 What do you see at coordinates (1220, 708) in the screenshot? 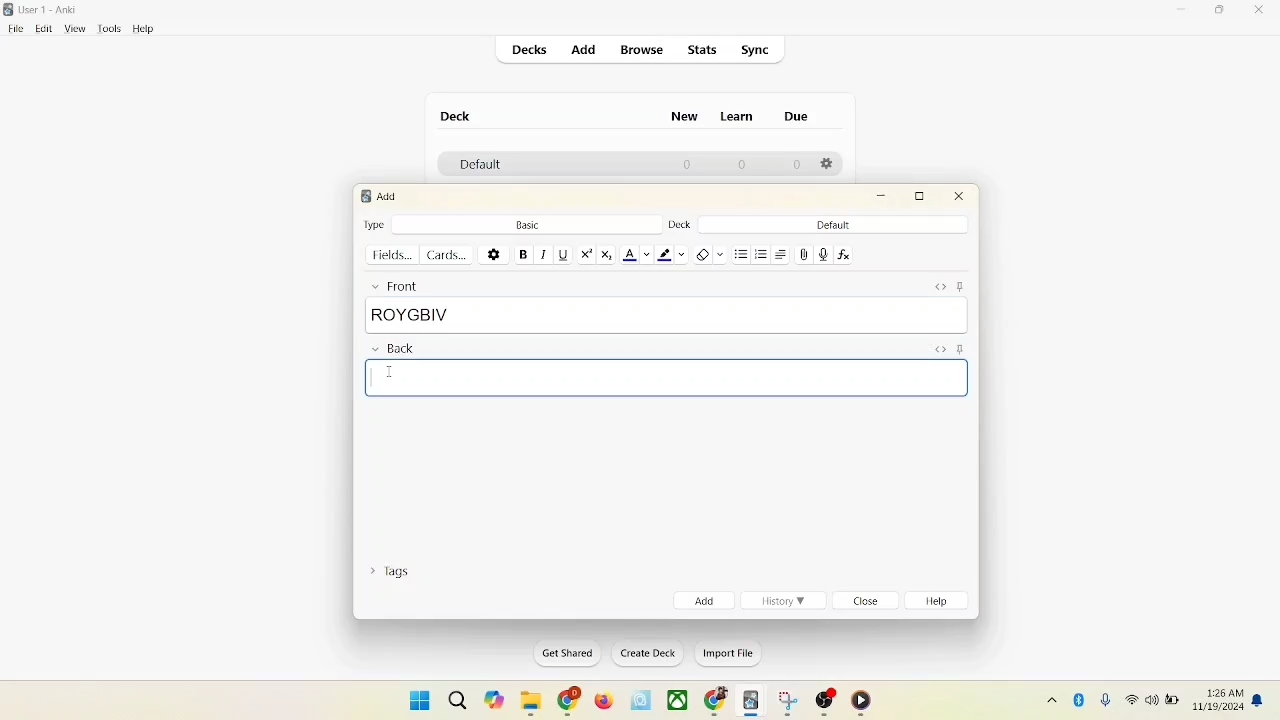
I see `date` at bounding box center [1220, 708].